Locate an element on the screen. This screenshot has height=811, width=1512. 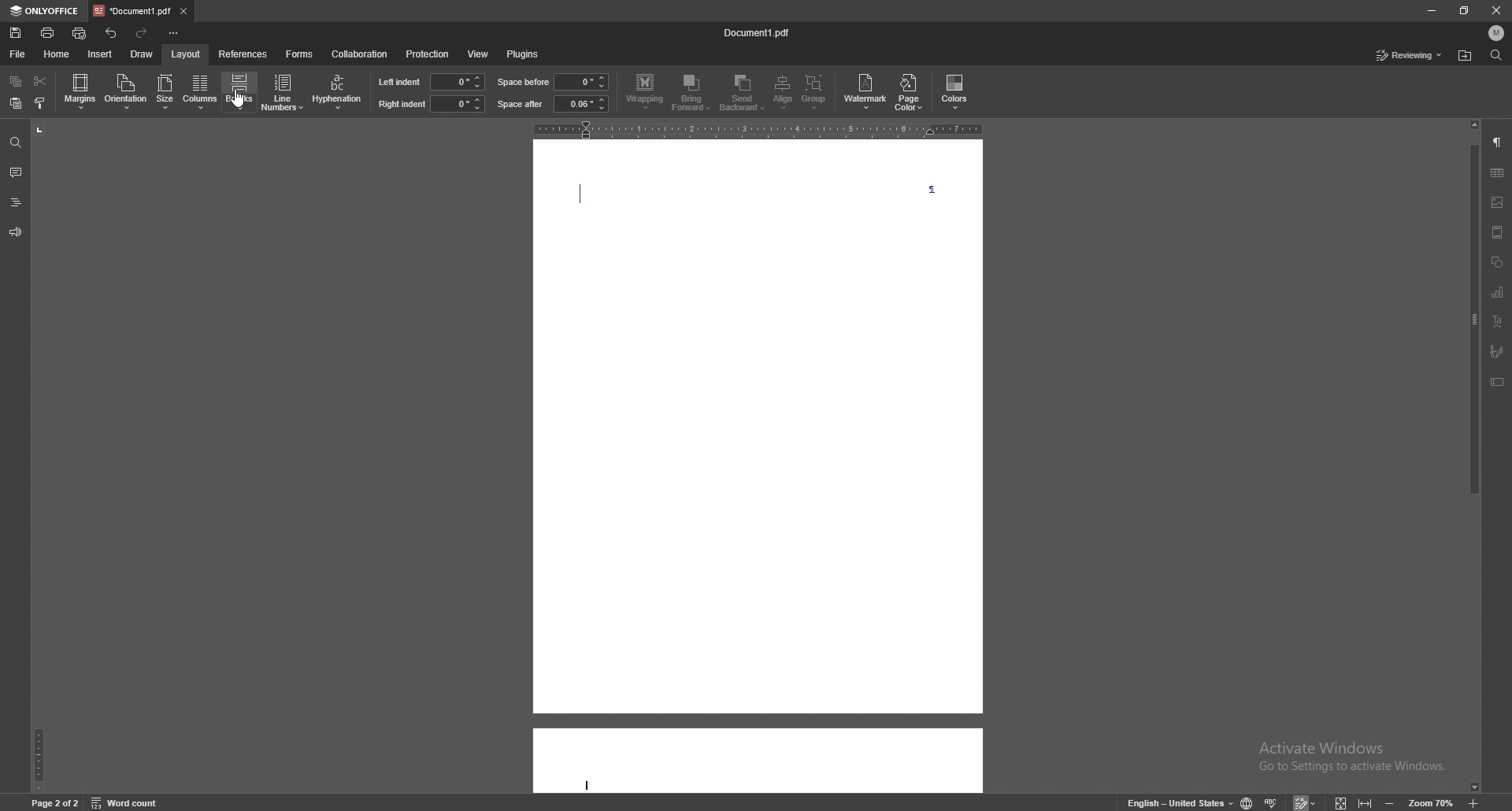
left indent is located at coordinates (398, 81).